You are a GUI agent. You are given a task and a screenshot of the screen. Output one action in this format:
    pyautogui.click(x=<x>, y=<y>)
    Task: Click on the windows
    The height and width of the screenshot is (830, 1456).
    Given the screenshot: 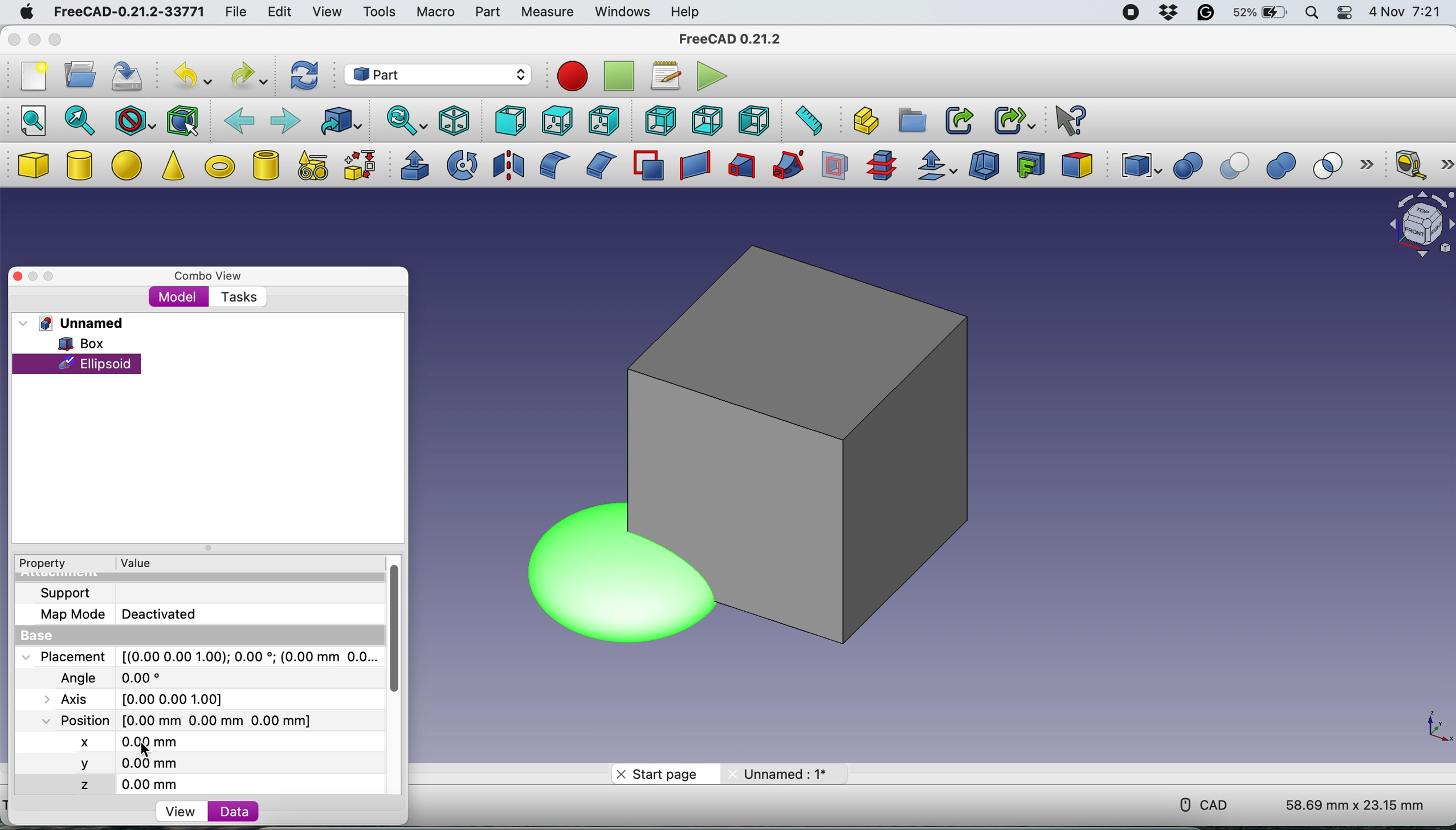 What is the action you would take?
    pyautogui.click(x=622, y=13)
    